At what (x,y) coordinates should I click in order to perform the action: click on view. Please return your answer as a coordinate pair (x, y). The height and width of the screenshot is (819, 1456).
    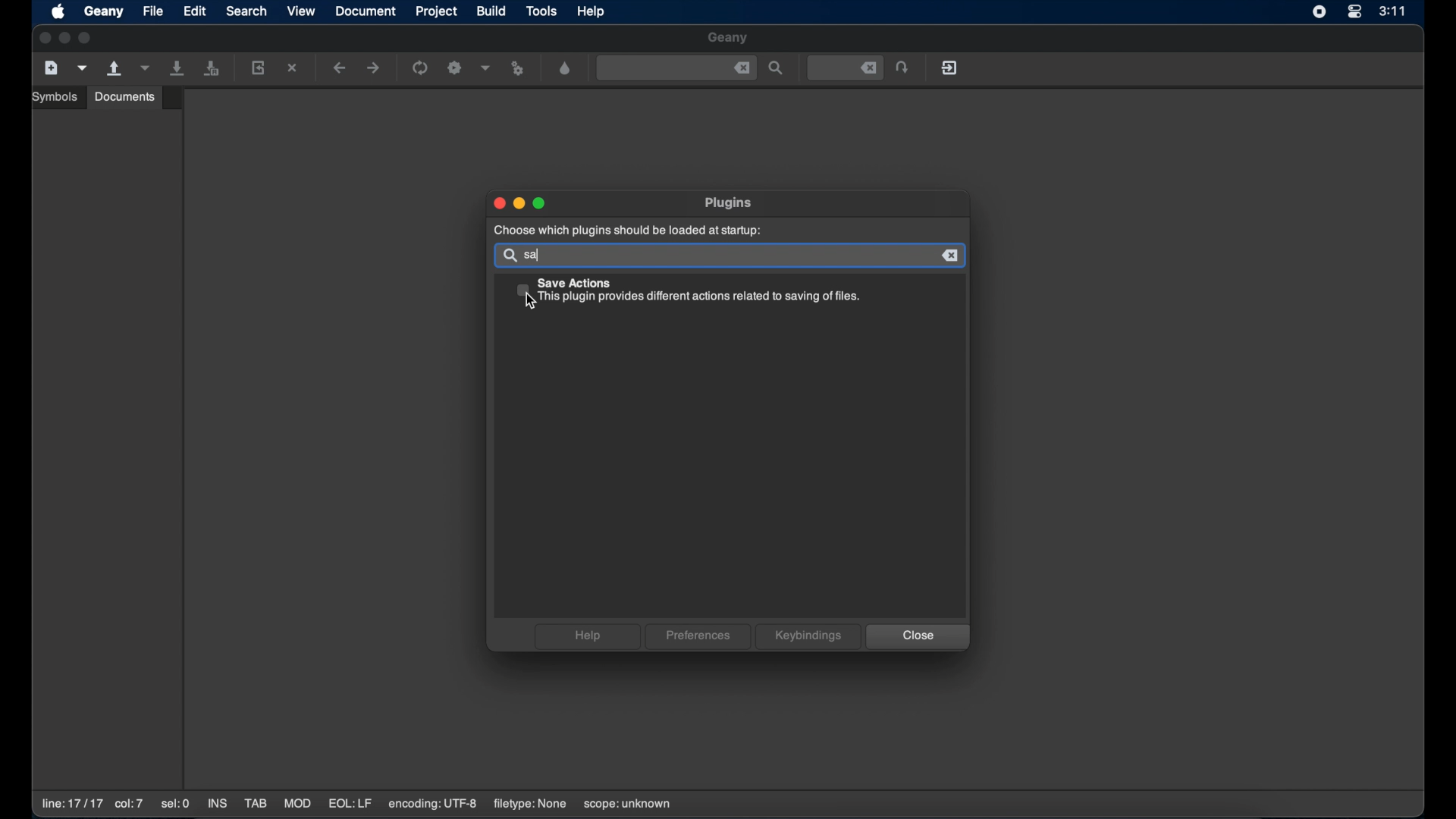
    Looking at the image, I should click on (302, 11).